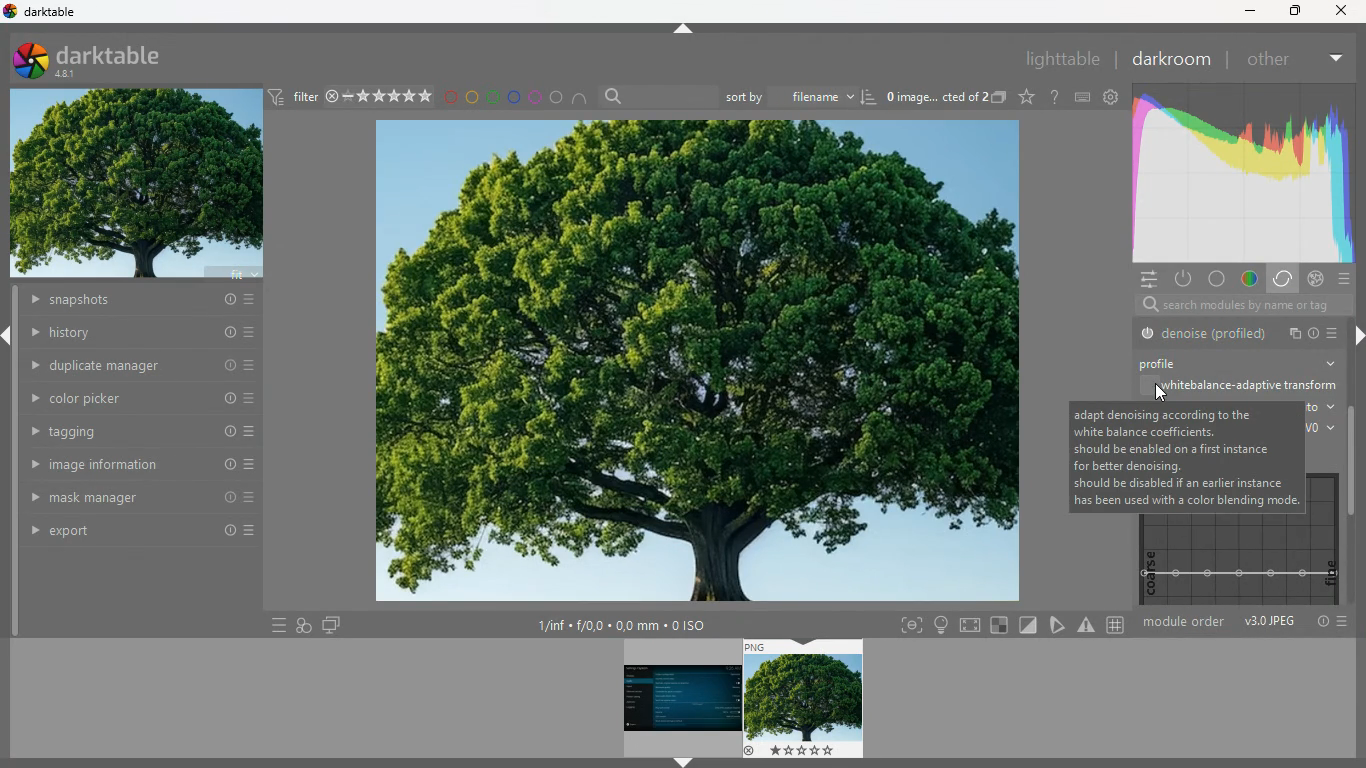 This screenshot has height=768, width=1366. I want to click on darktable, so click(101, 60).